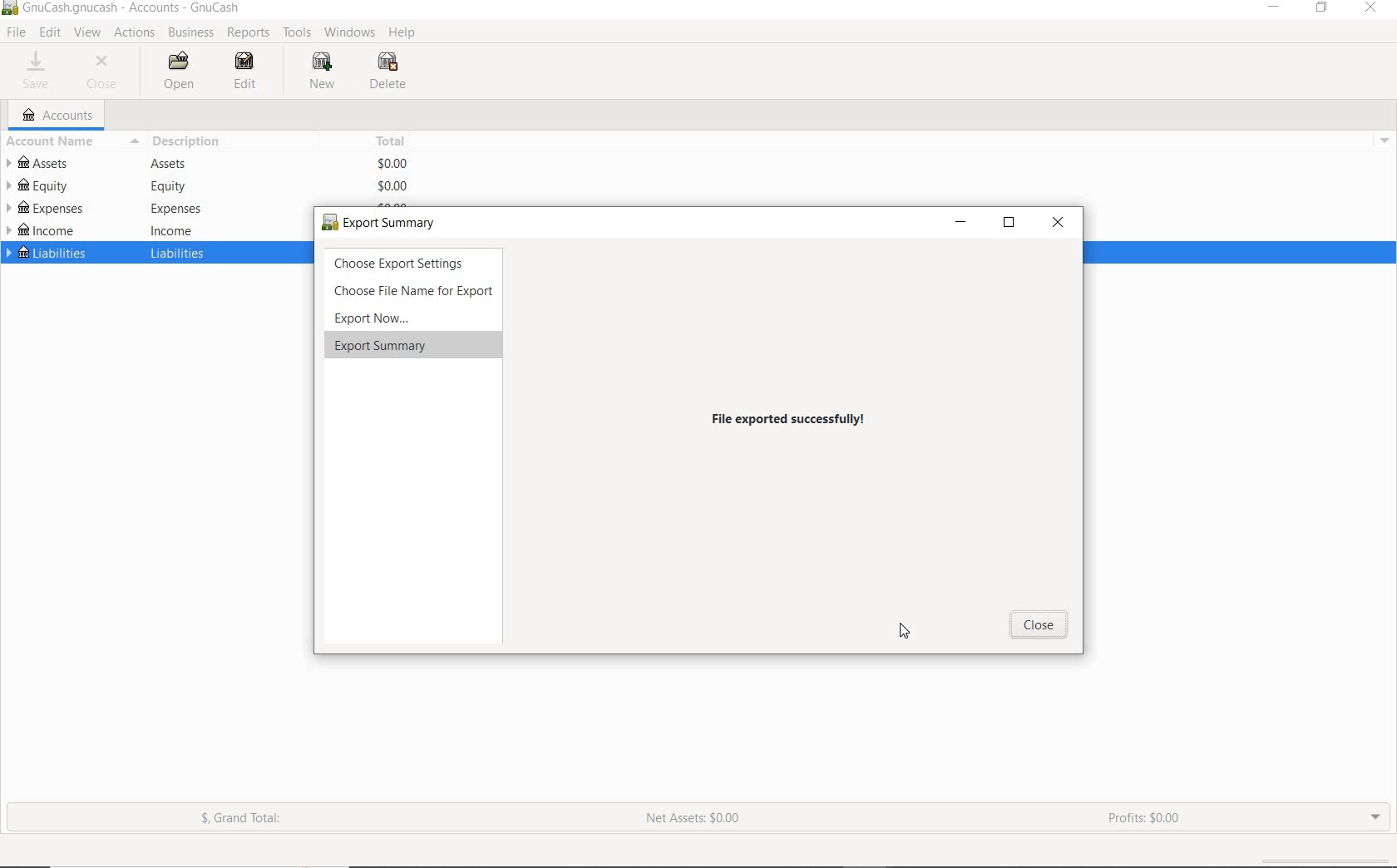  Describe the element at coordinates (175, 71) in the screenshot. I see `OPEN` at that location.